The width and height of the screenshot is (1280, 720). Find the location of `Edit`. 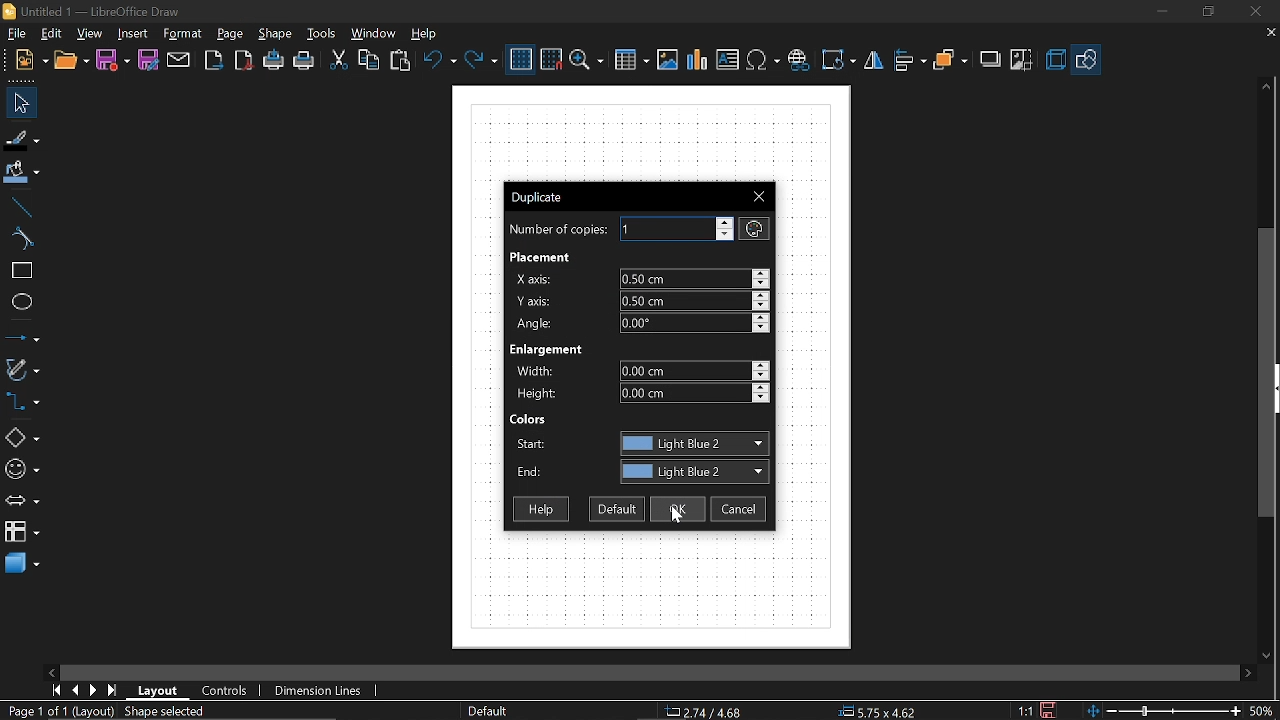

Edit is located at coordinates (50, 33).